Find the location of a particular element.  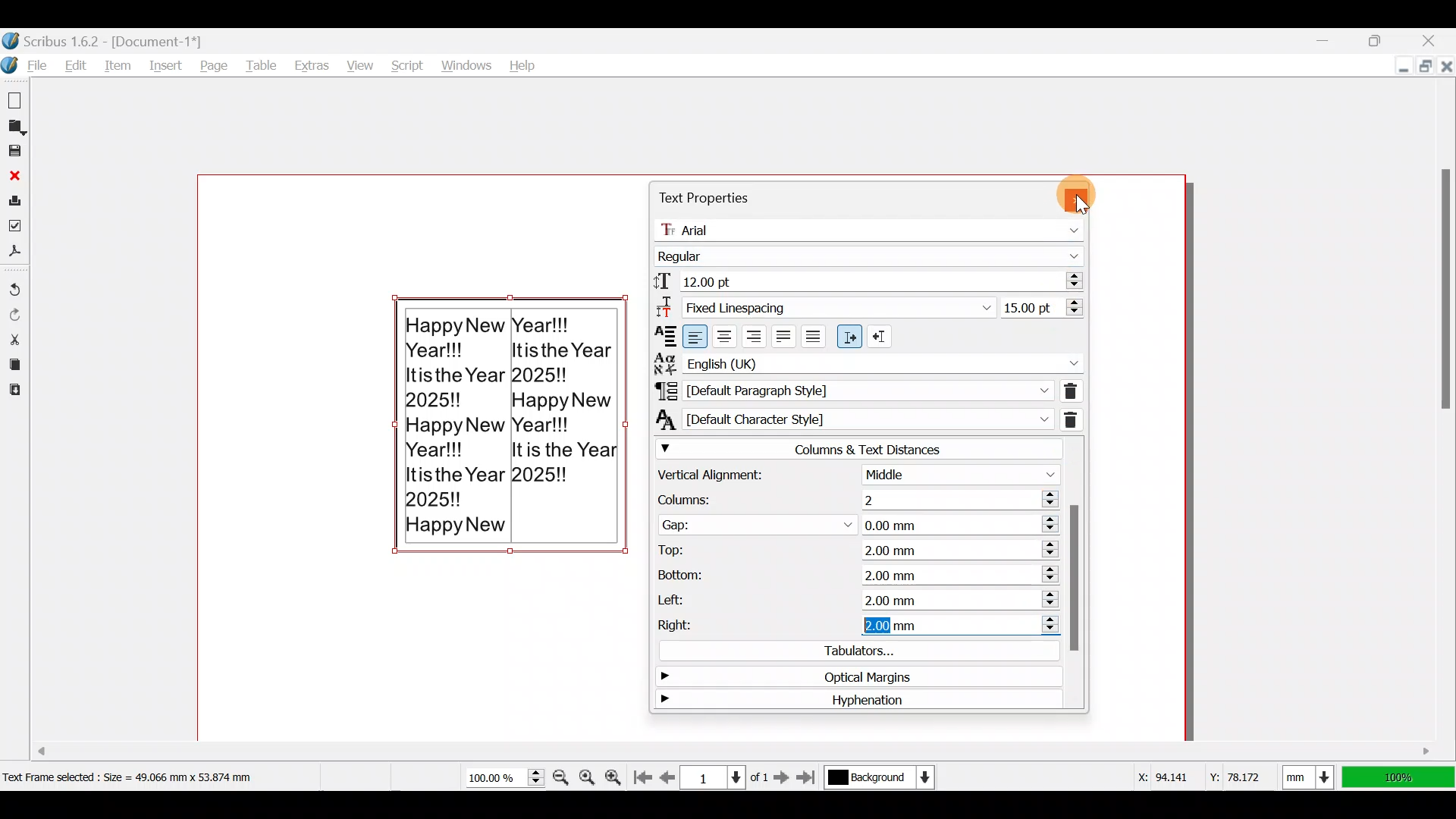

Maximize is located at coordinates (1387, 39).